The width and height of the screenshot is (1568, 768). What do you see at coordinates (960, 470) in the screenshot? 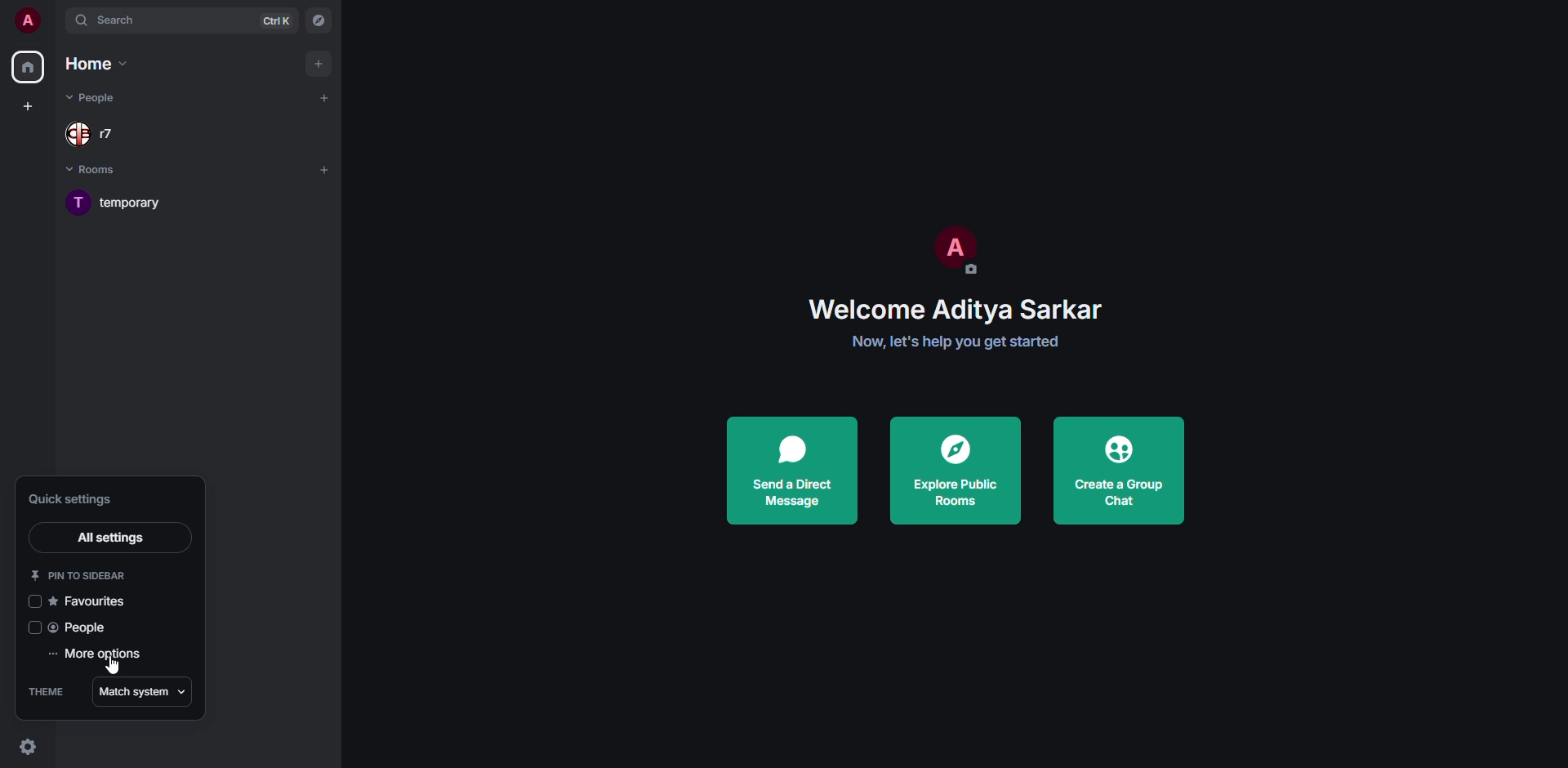
I see `explore public rooms` at bounding box center [960, 470].